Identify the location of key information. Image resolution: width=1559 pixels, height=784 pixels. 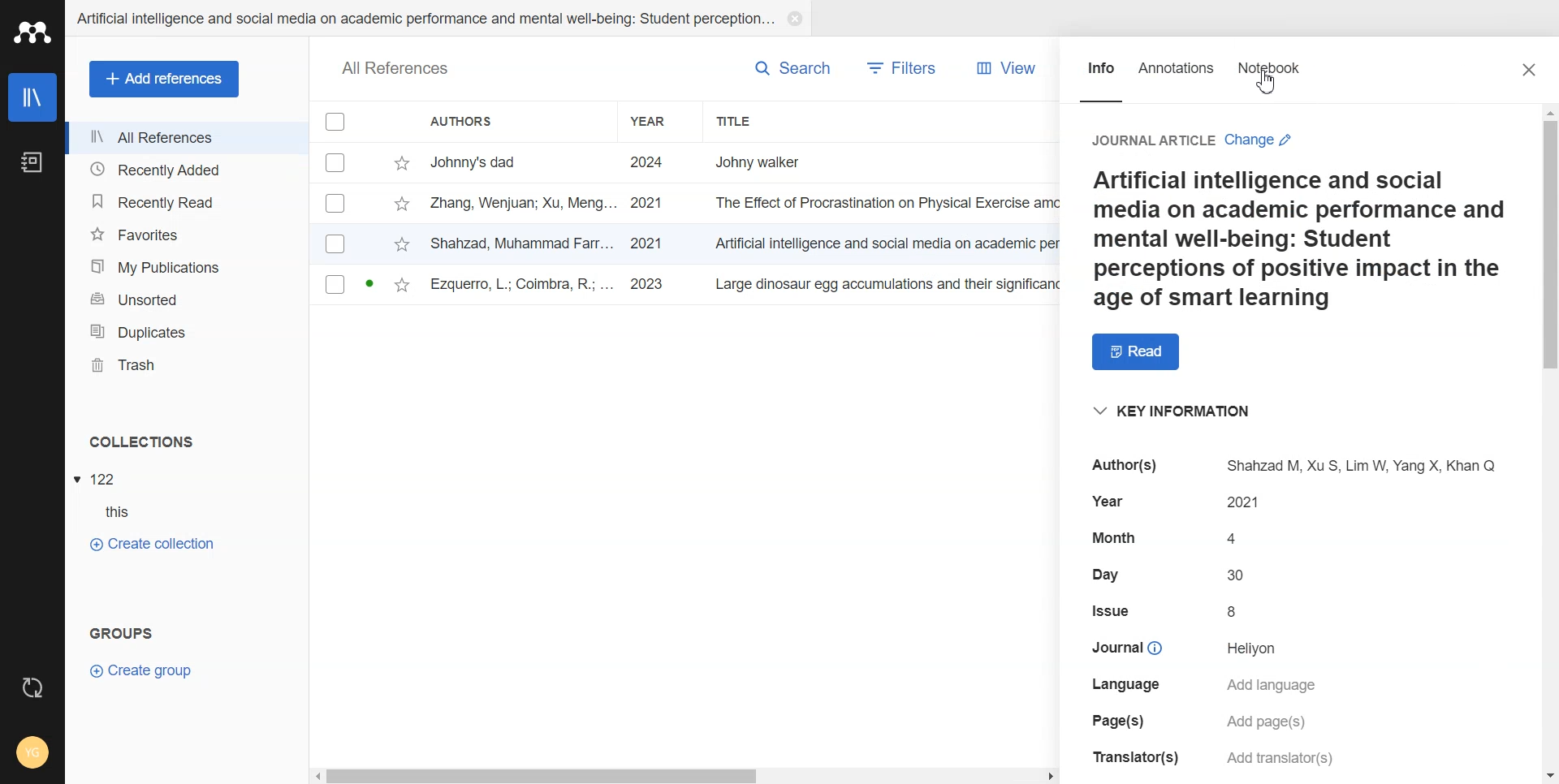
(1173, 413).